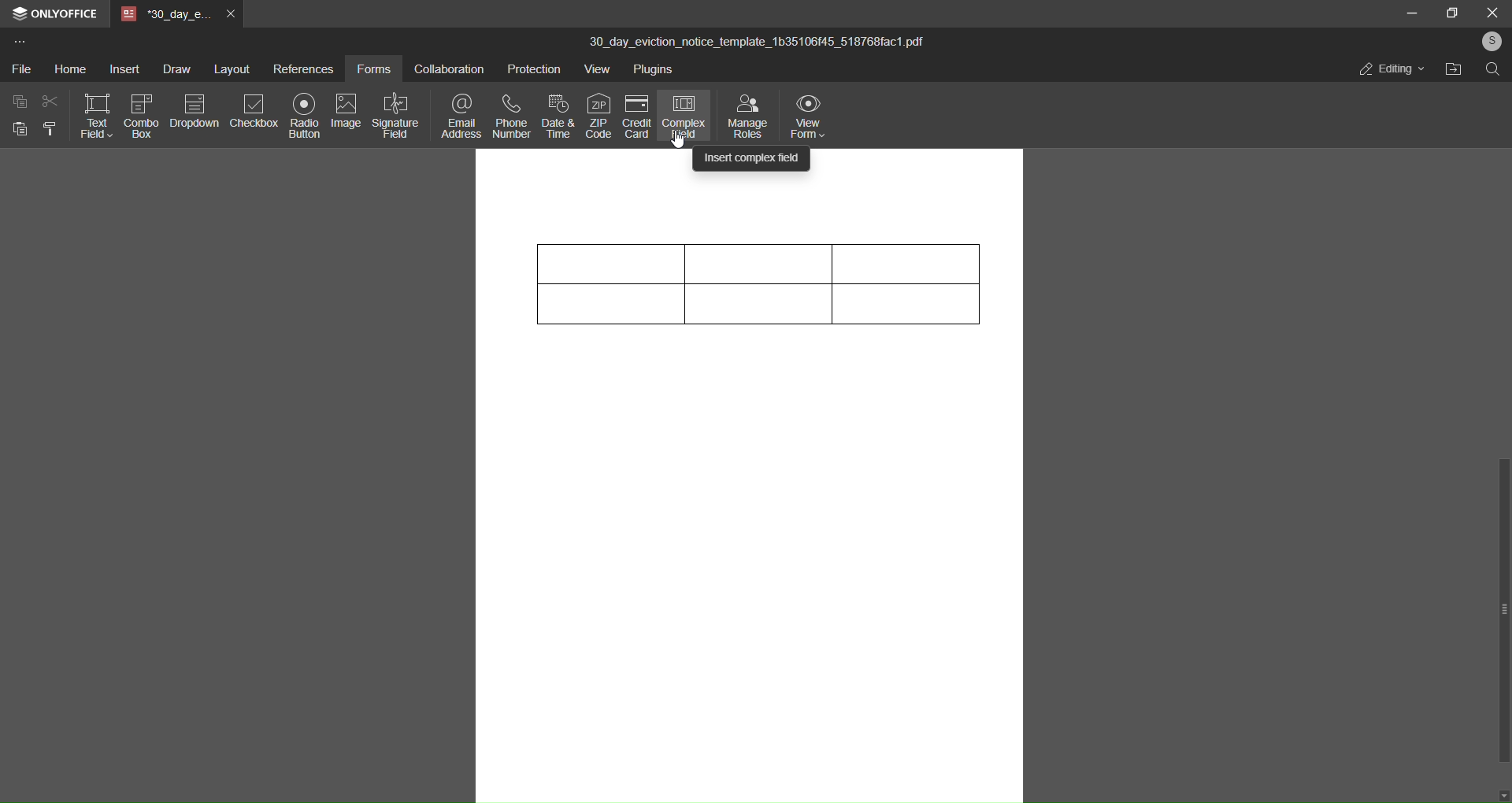  I want to click on credit card, so click(636, 116).